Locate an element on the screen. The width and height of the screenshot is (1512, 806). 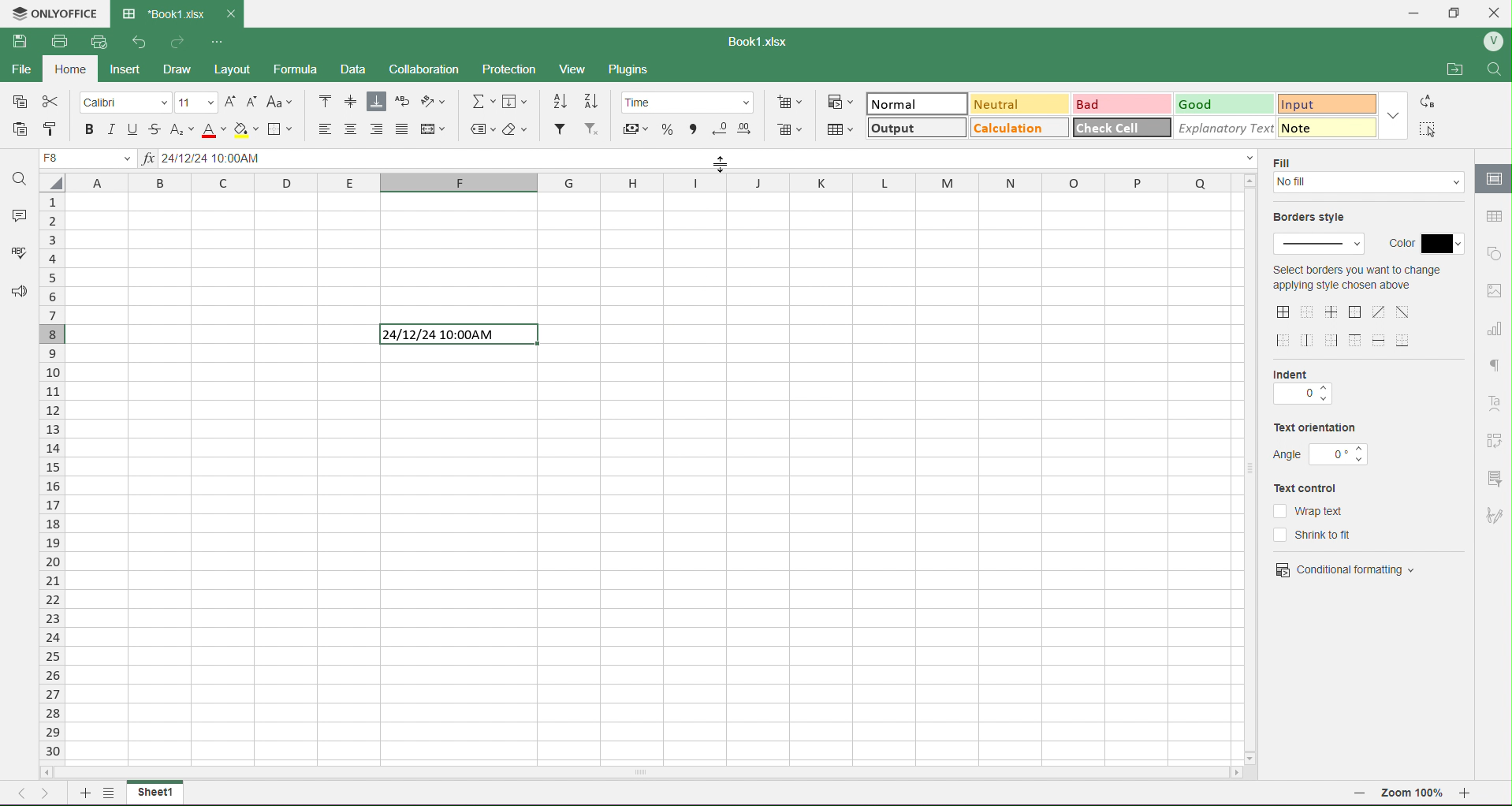
color is located at coordinates (1425, 240).